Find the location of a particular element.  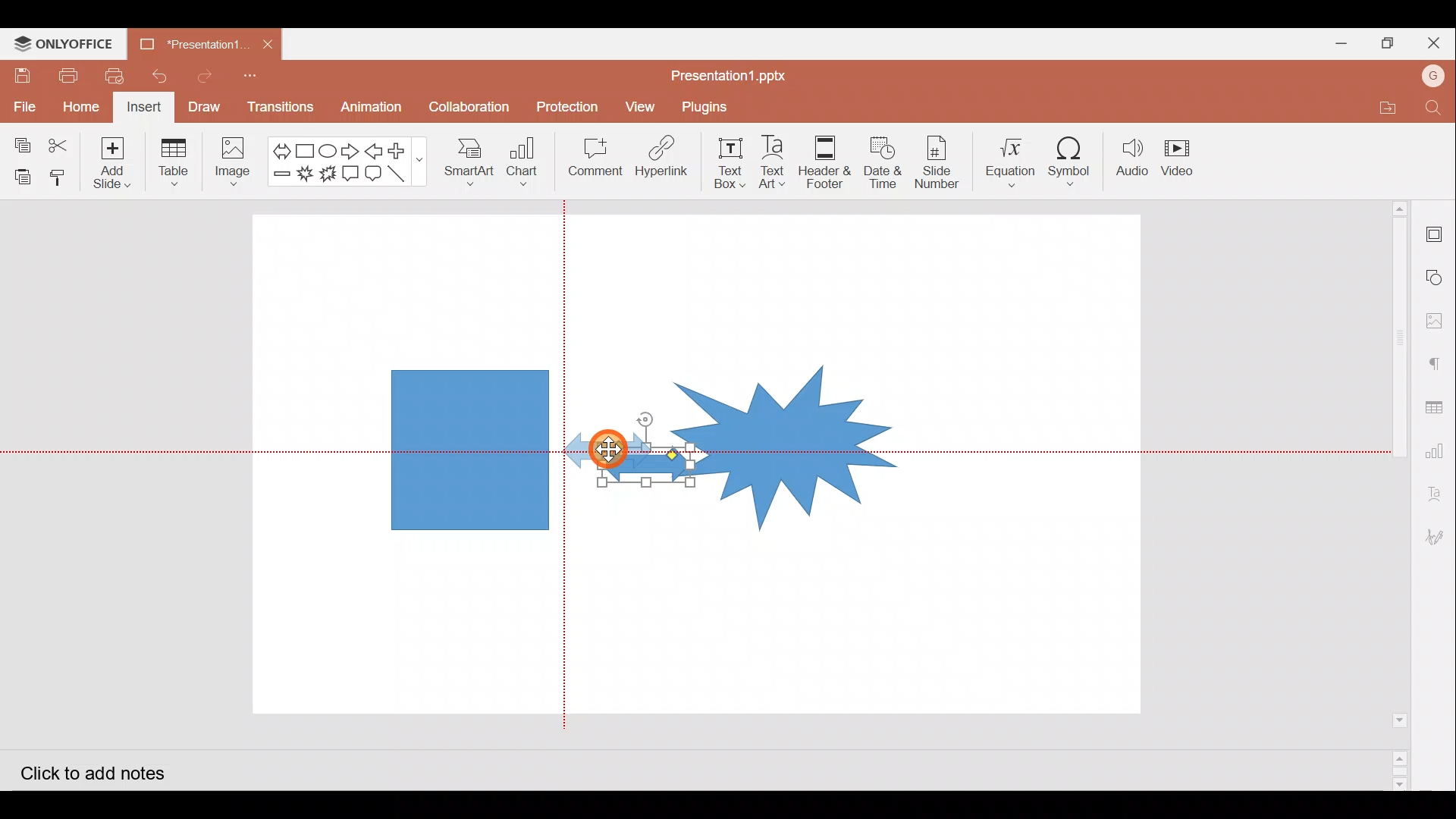

Table settings is located at coordinates (1436, 403).